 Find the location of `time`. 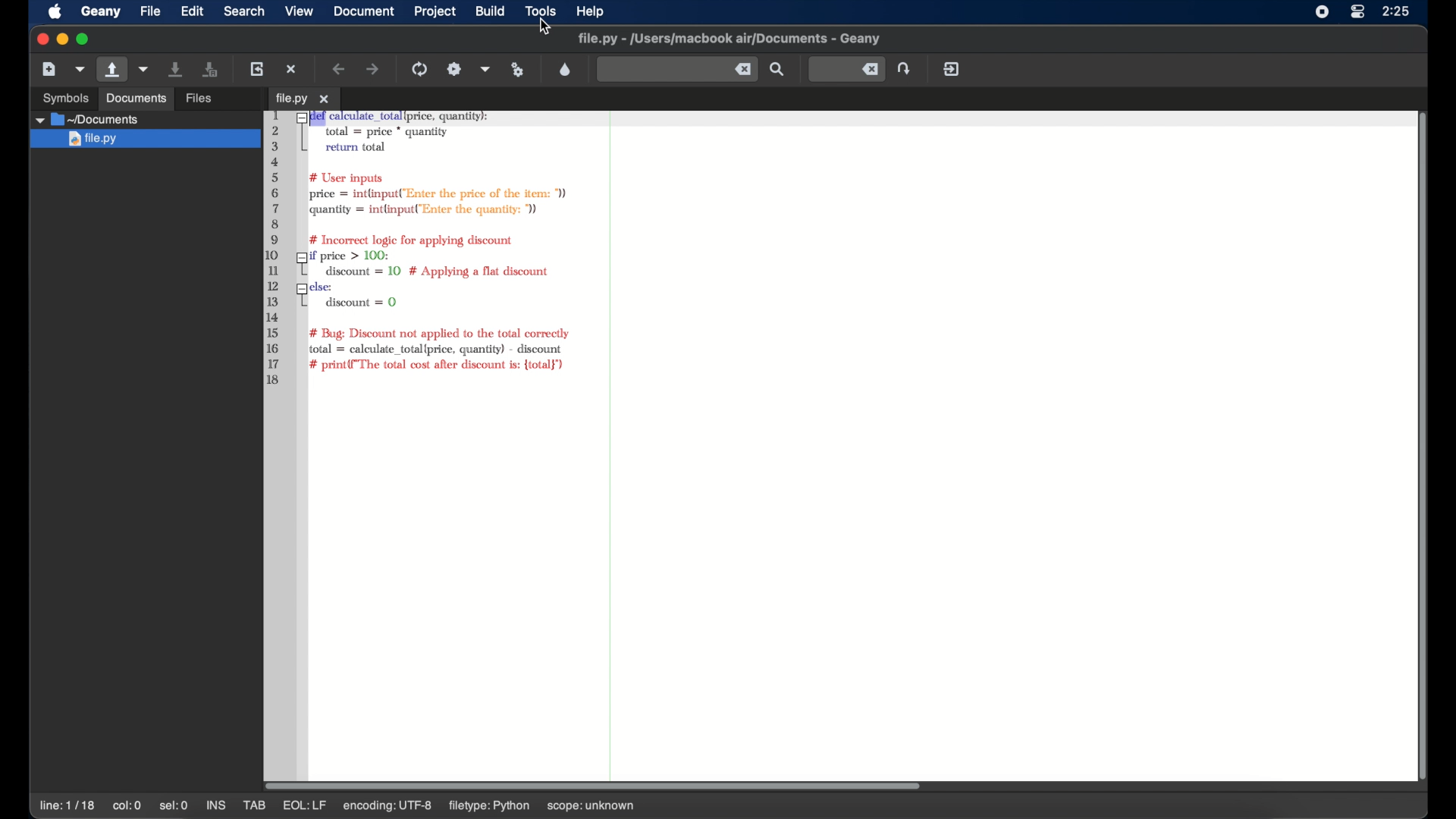

time is located at coordinates (1398, 11).